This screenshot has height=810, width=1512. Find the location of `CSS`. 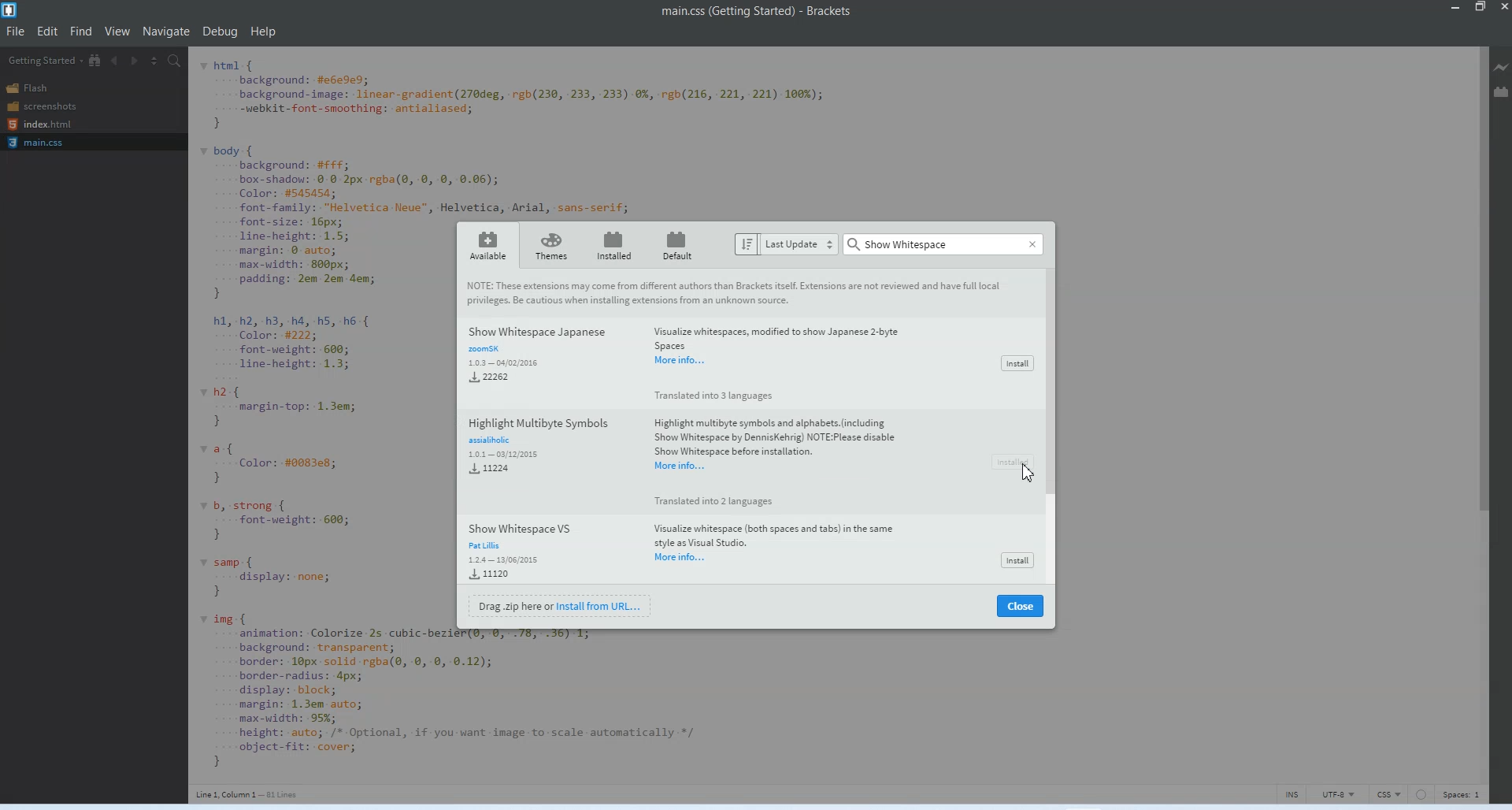

CSS is located at coordinates (1390, 793).